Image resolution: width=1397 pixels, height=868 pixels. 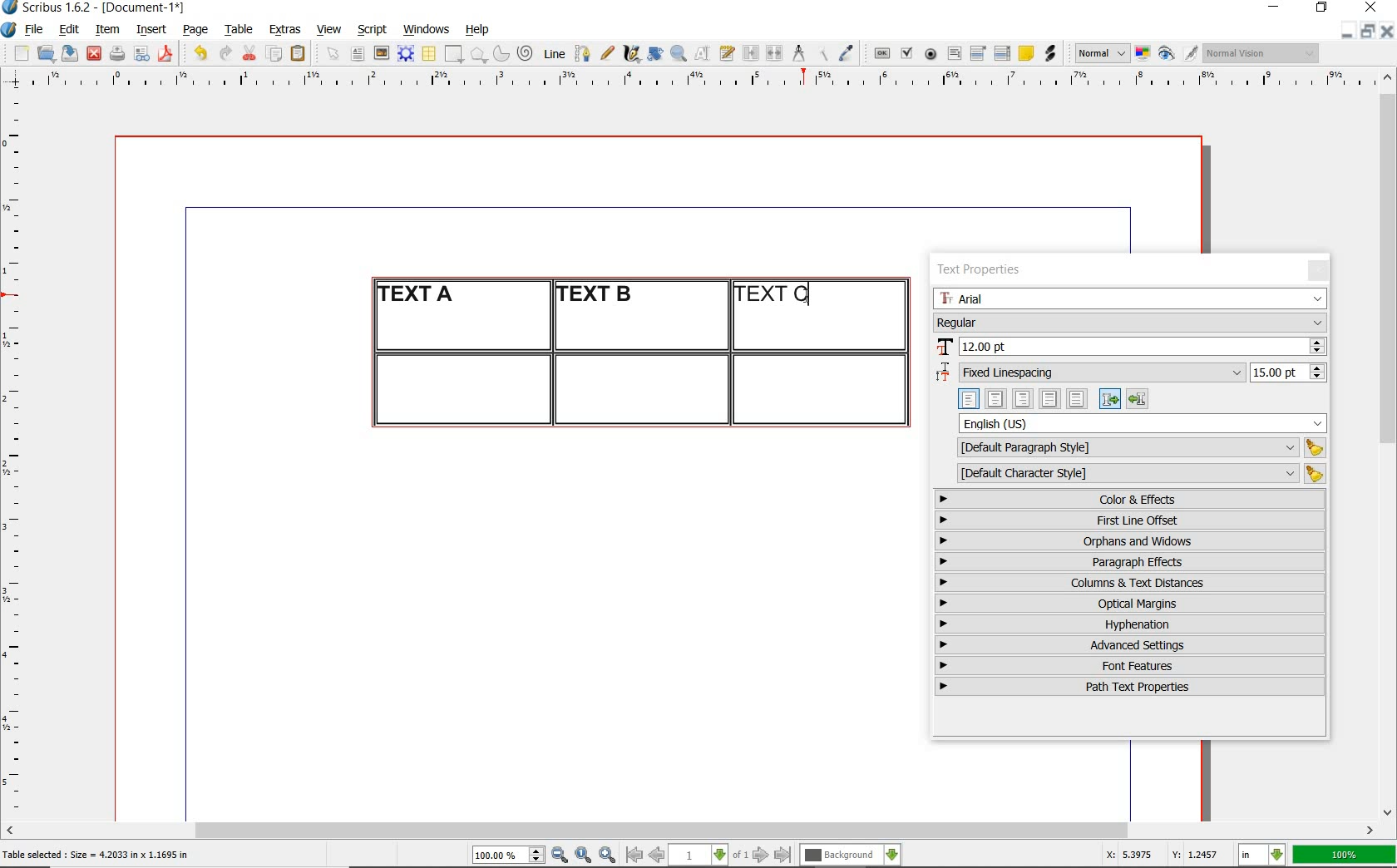 What do you see at coordinates (249, 52) in the screenshot?
I see `cut` at bounding box center [249, 52].